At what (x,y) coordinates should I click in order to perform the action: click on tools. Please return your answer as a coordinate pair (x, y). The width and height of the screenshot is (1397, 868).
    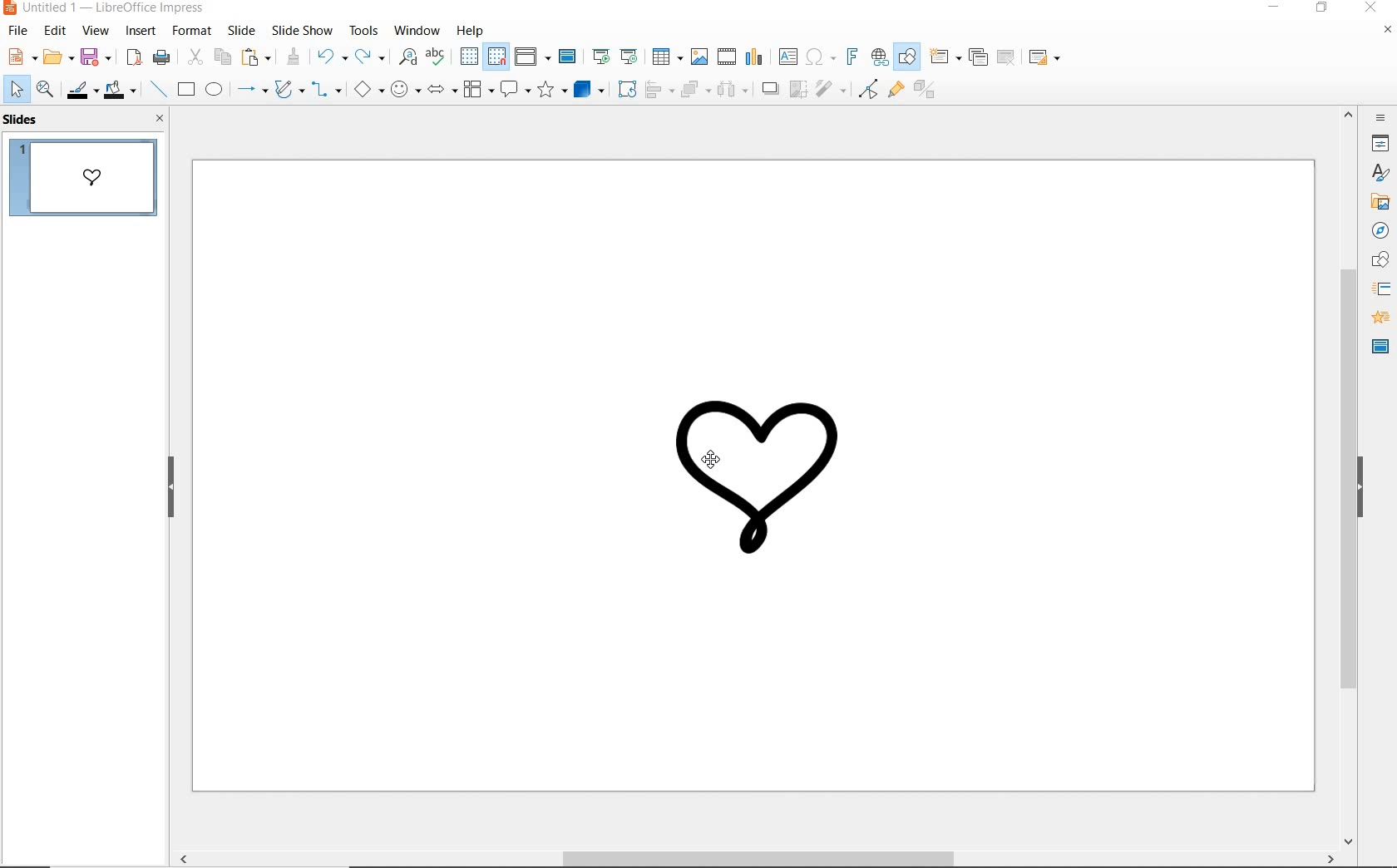
    Looking at the image, I should click on (364, 31).